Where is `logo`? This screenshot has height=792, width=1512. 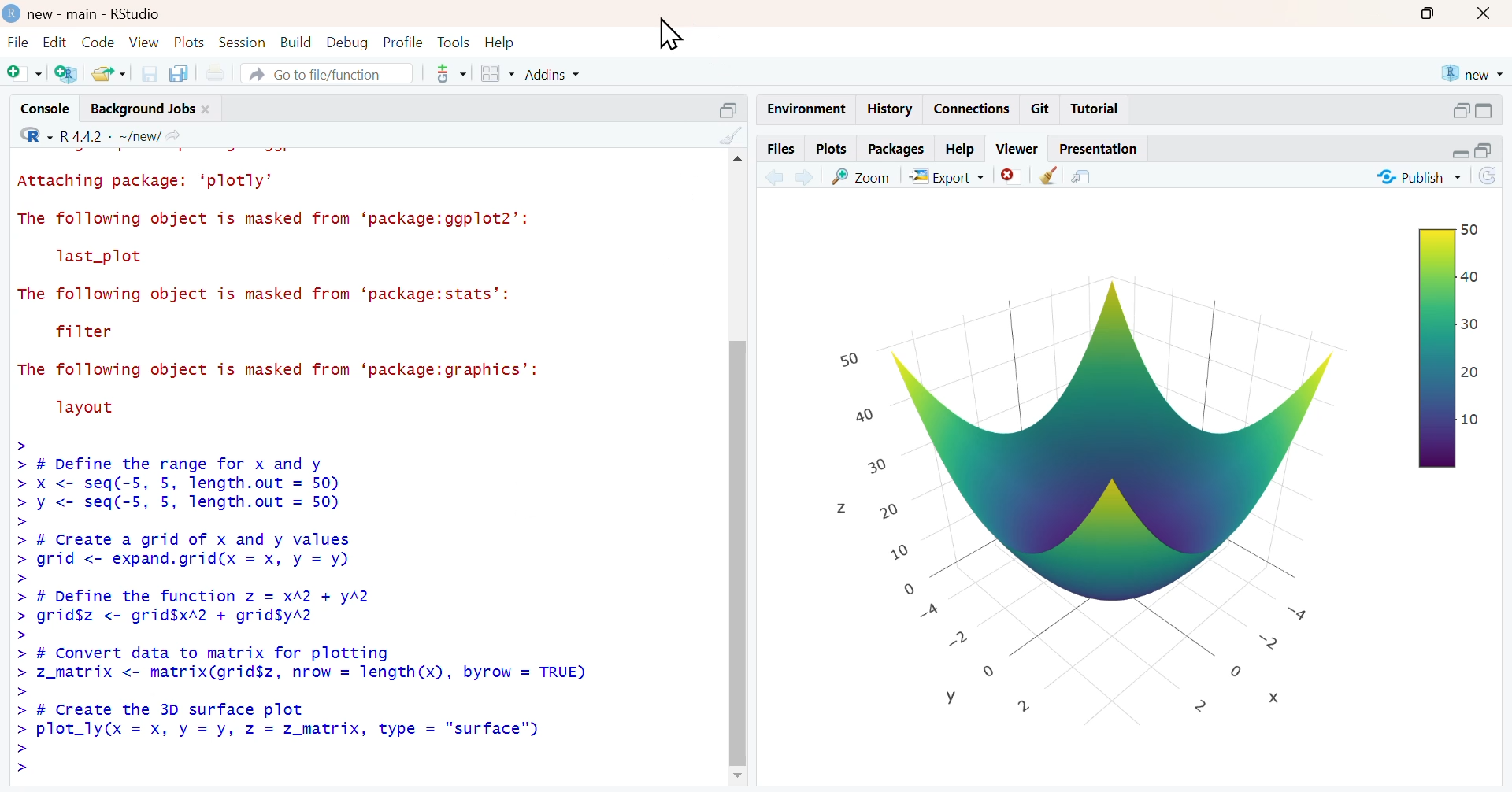
logo is located at coordinates (9, 12).